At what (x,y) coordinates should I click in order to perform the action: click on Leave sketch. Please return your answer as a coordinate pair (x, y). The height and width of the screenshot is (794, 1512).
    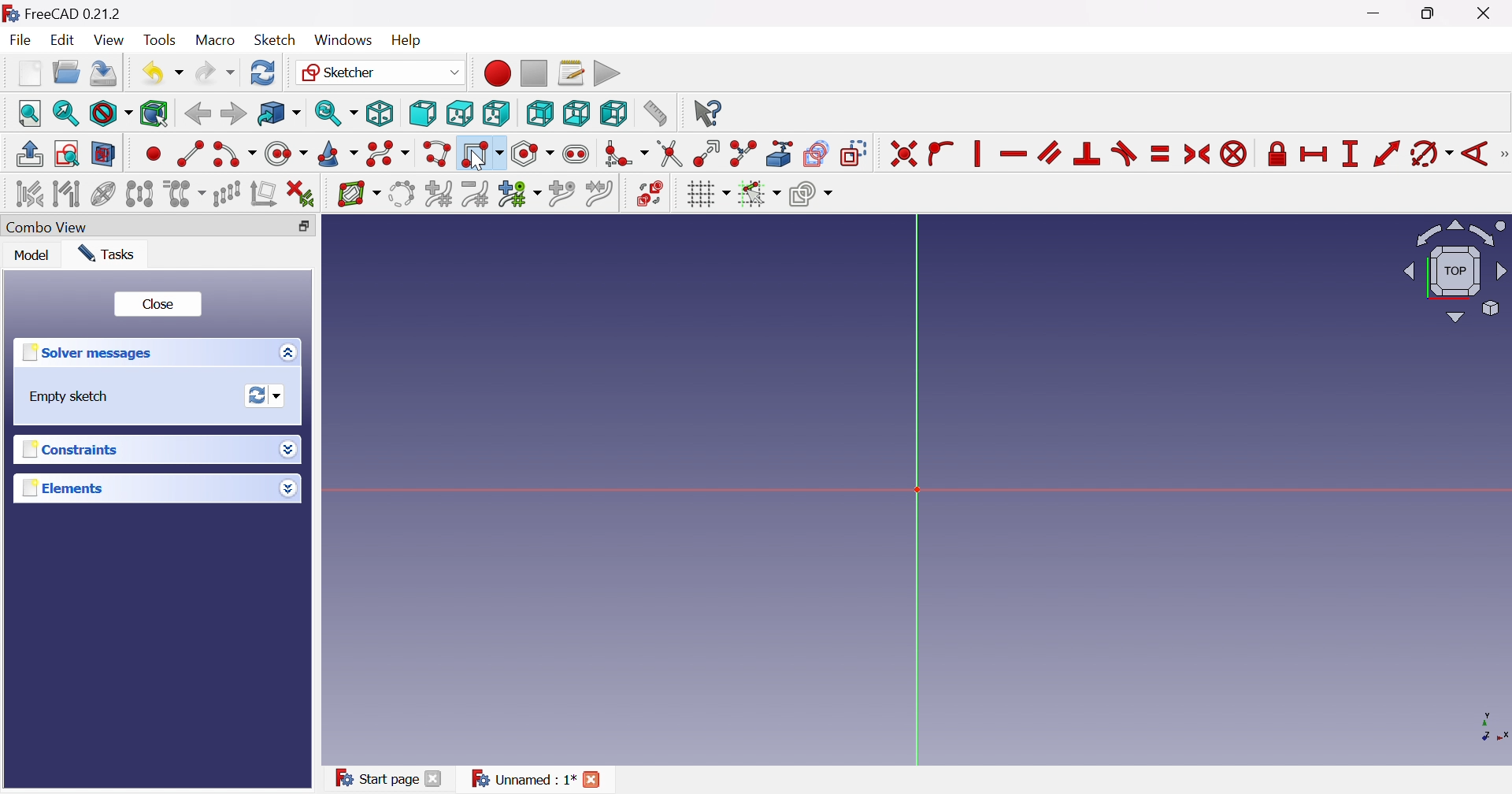
    Looking at the image, I should click on (31, 154).